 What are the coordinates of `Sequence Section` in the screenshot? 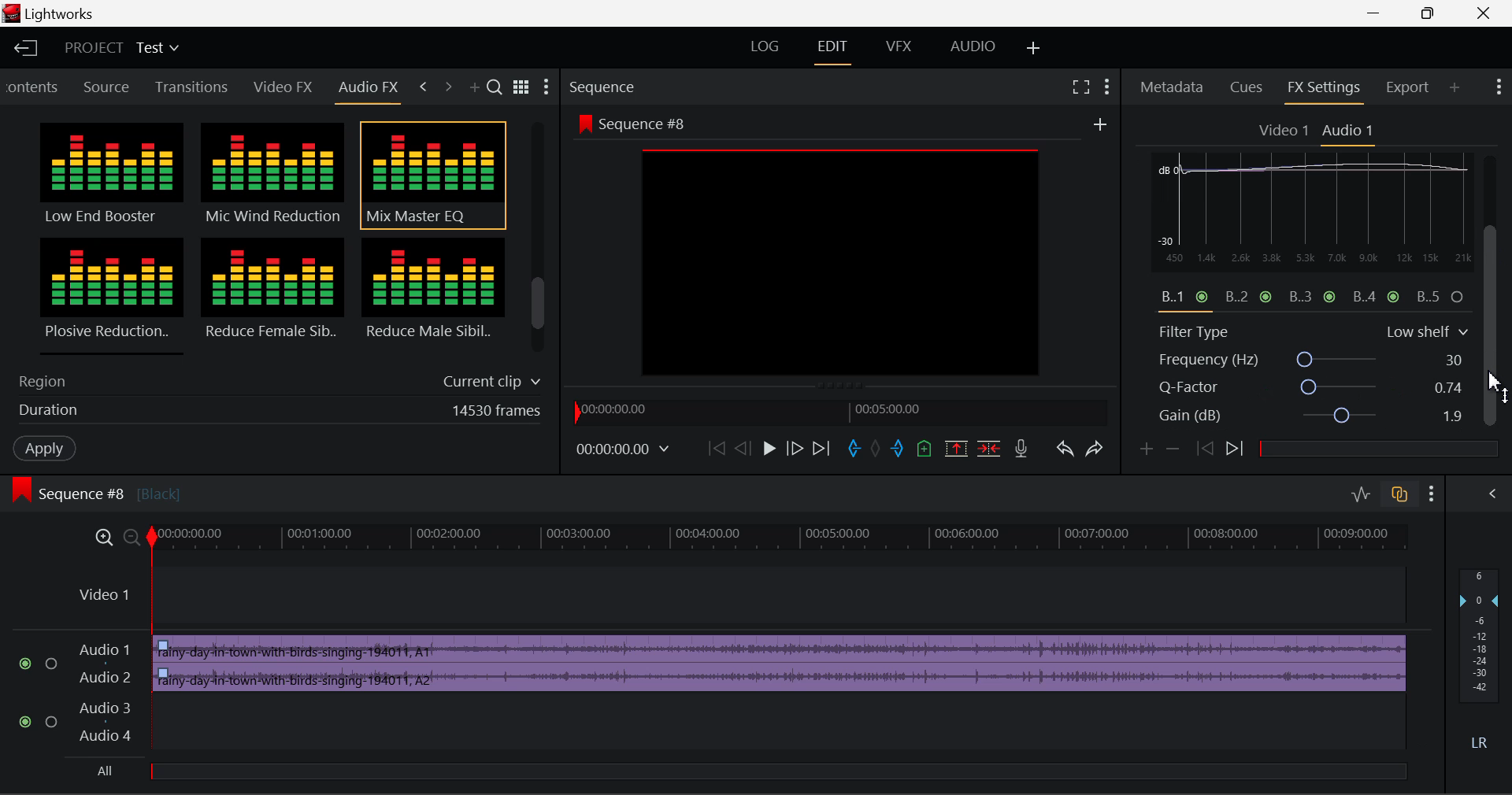 It's located at (649, 86).